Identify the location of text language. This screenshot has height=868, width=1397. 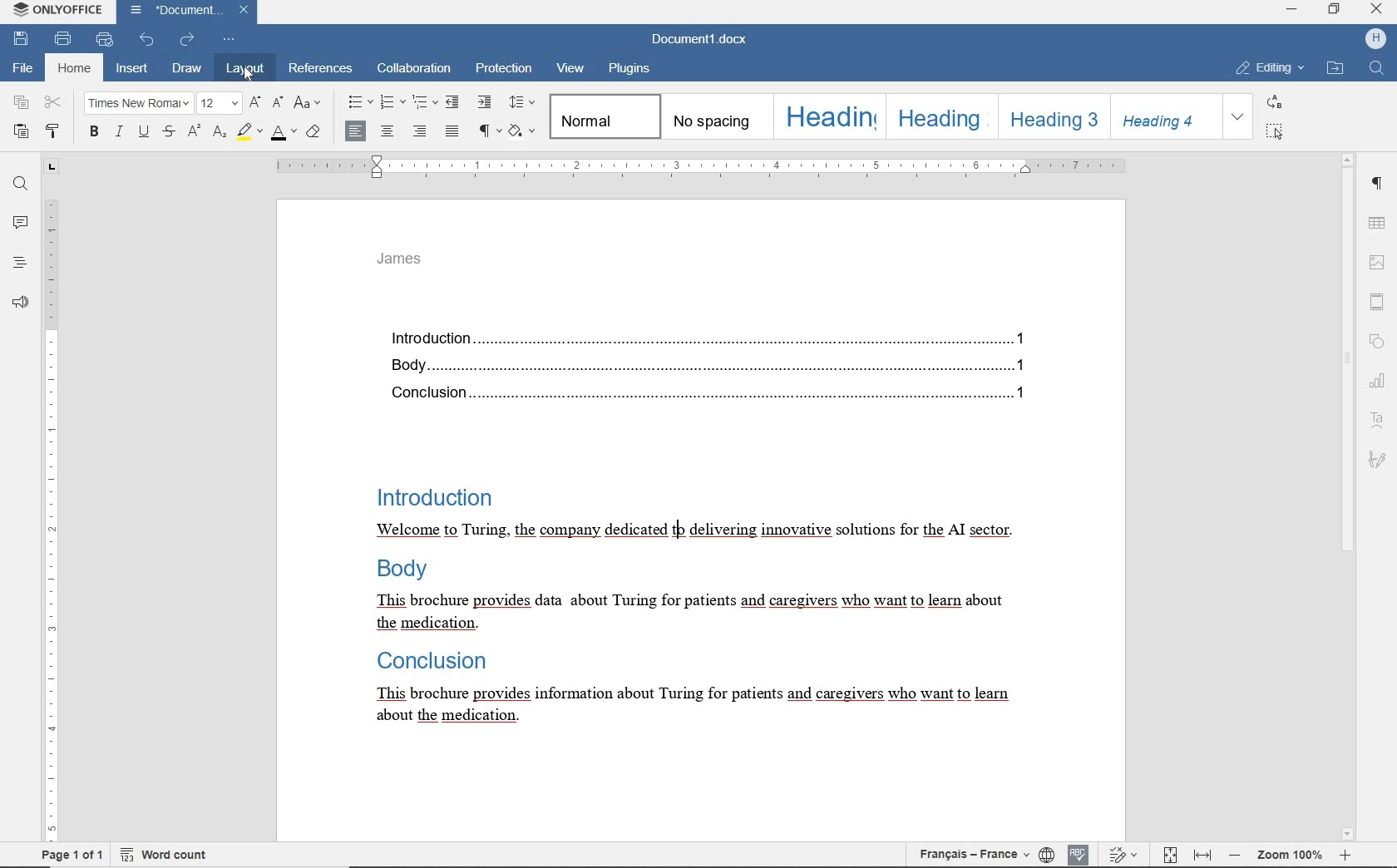
(970, 852).